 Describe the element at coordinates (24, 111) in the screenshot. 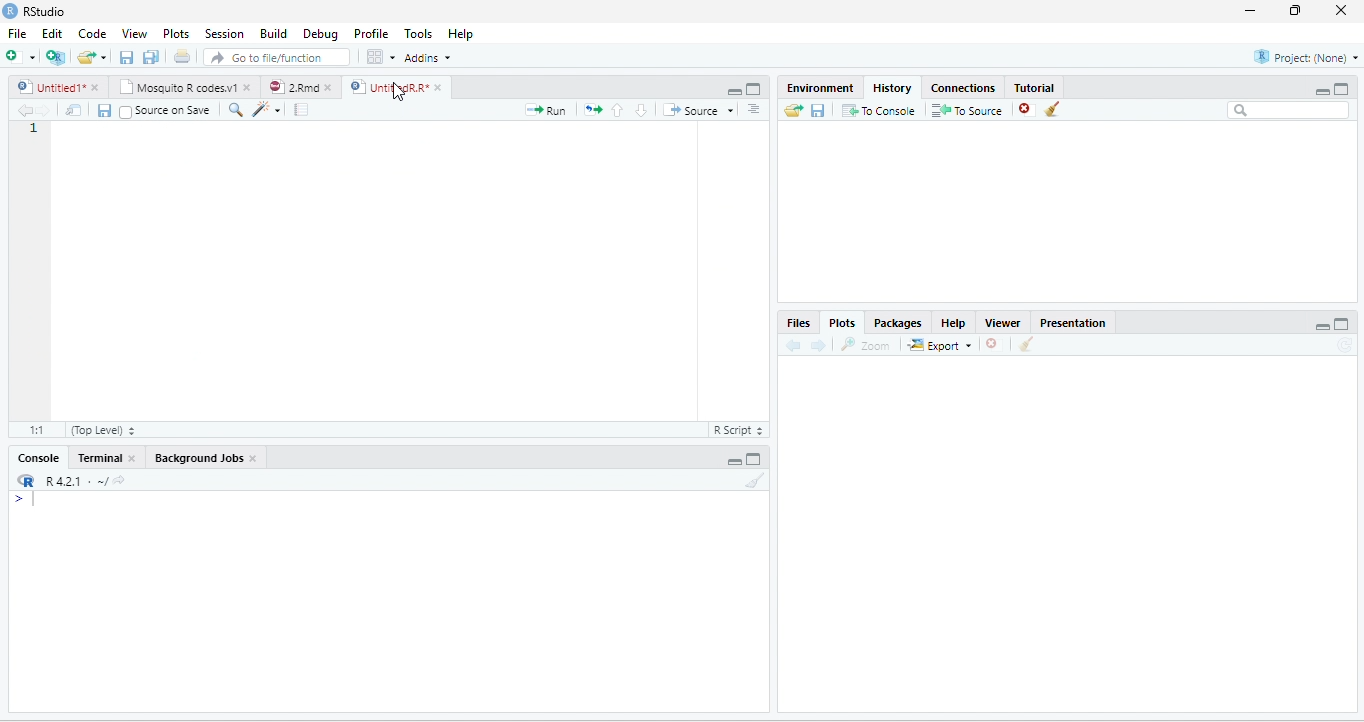

I see `Go back to previous source location` at that location.